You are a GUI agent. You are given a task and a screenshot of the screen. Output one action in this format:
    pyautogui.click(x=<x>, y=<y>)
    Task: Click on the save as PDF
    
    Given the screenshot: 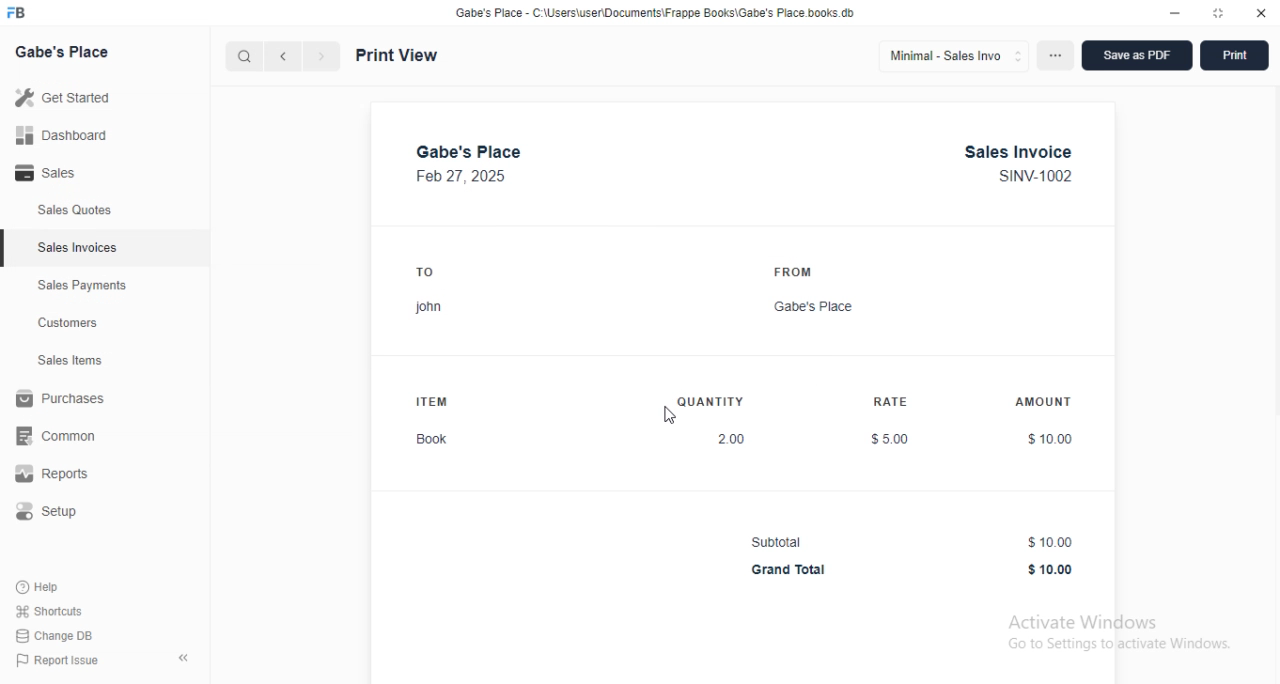 What is the action you would take?
    pyautogui.click(x=1137, y=55)
    